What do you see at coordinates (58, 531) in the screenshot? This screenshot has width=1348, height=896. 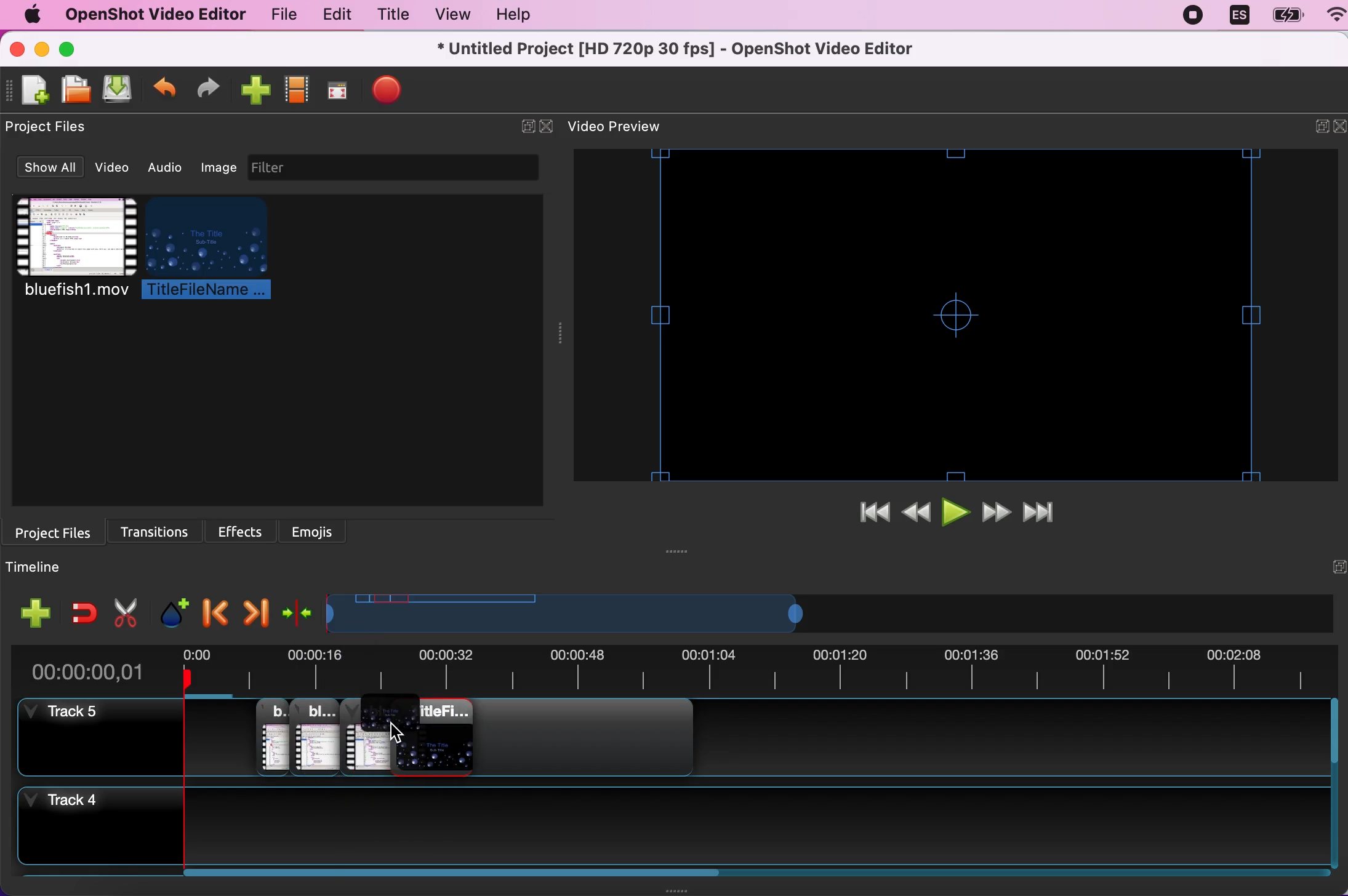 I see `project files` at bounding box center [58, 531].